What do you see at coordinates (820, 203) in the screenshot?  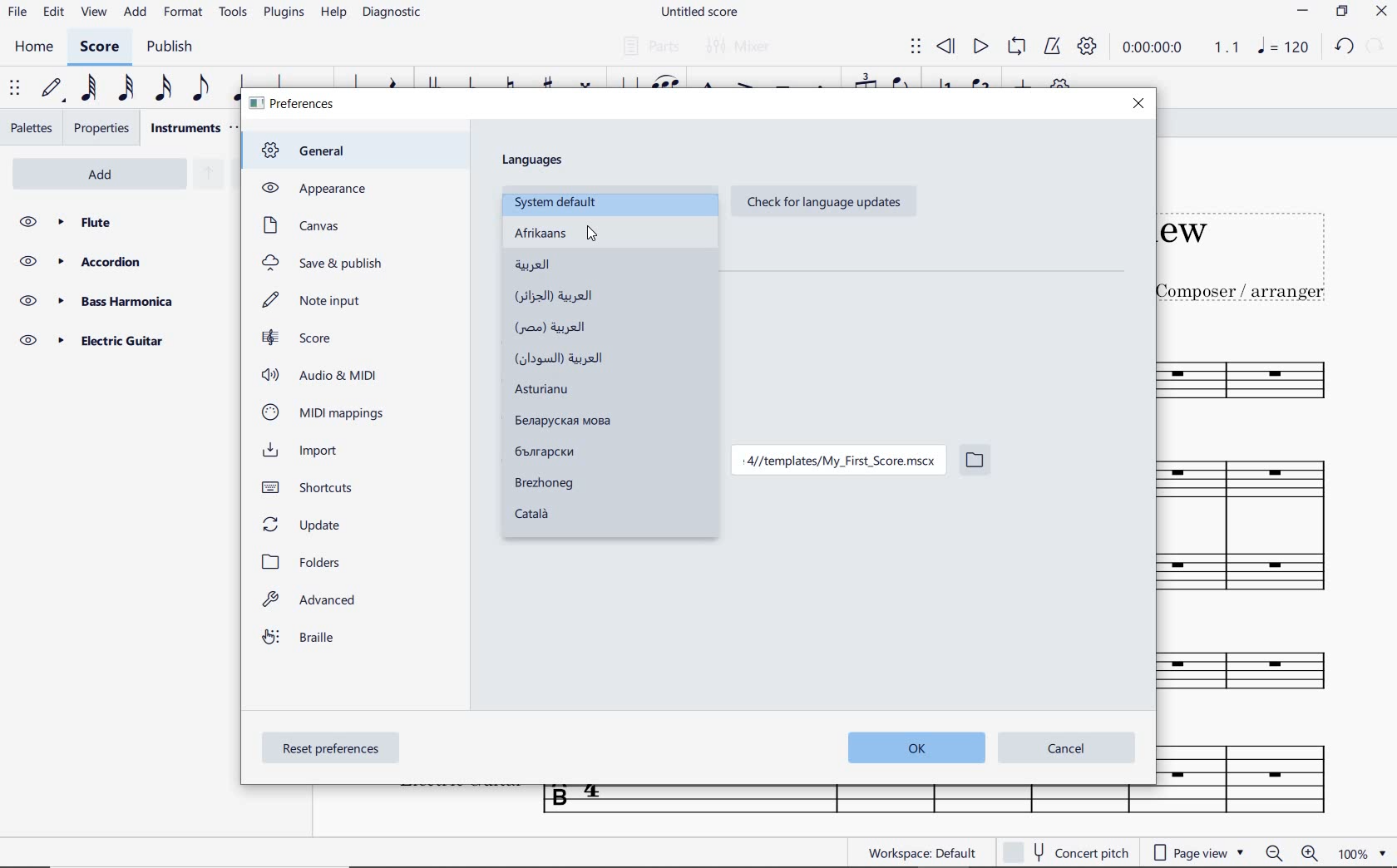 I see `check for language updates` at bounding box center [820, 203].